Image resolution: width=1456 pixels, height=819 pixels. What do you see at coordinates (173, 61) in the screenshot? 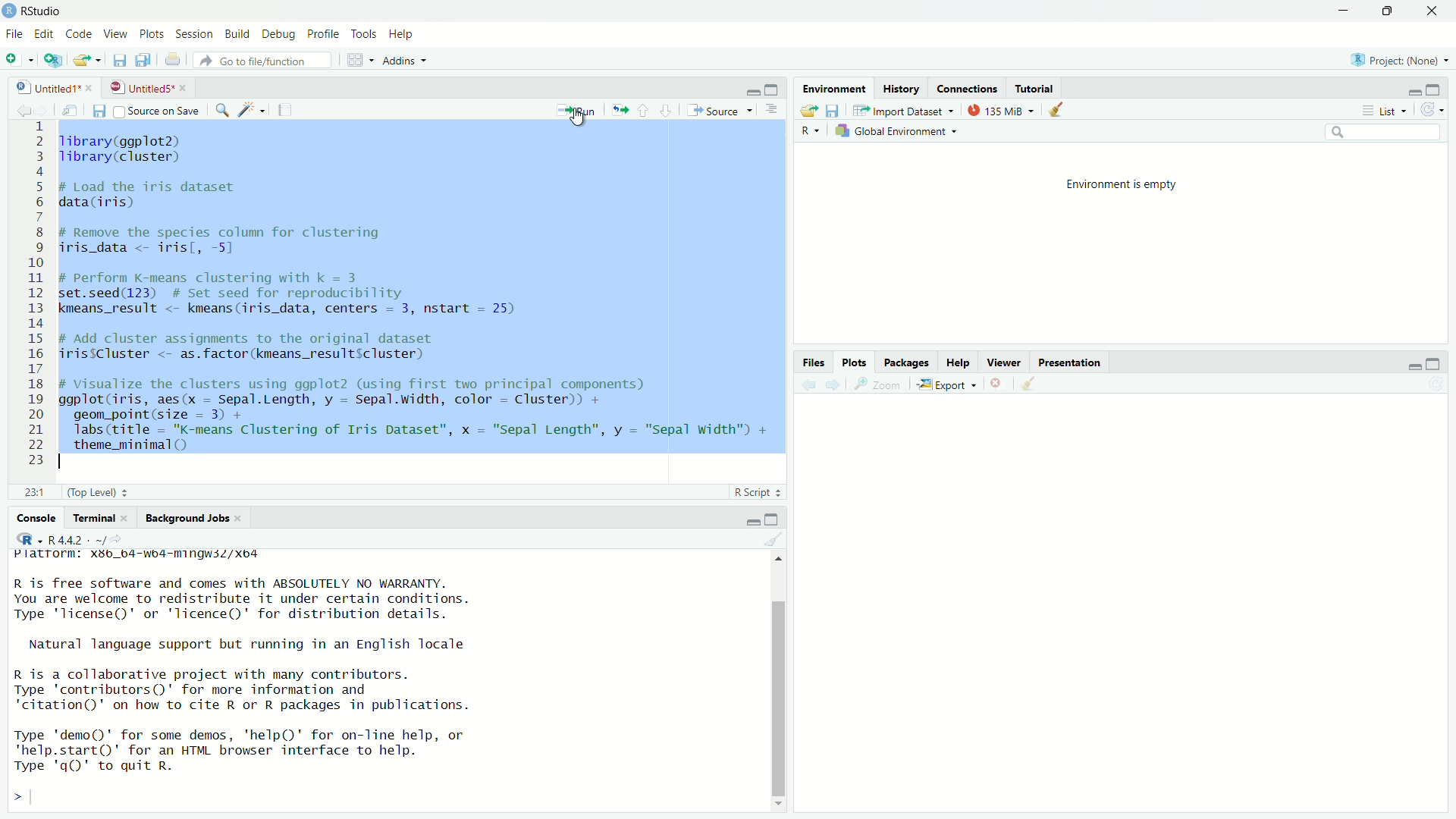
I see `print the current file` at bounding box center [173, 61].